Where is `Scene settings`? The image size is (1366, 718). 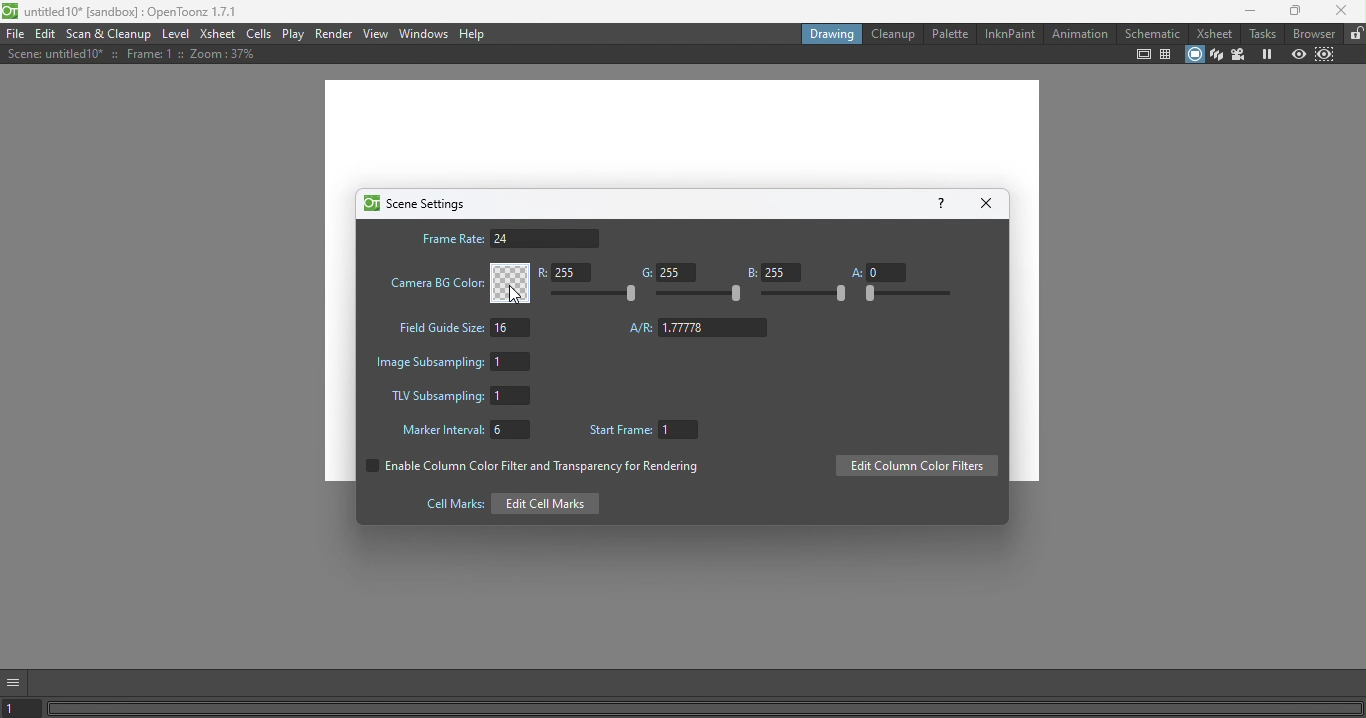
Scene settings is located at coordinates (414, 203).